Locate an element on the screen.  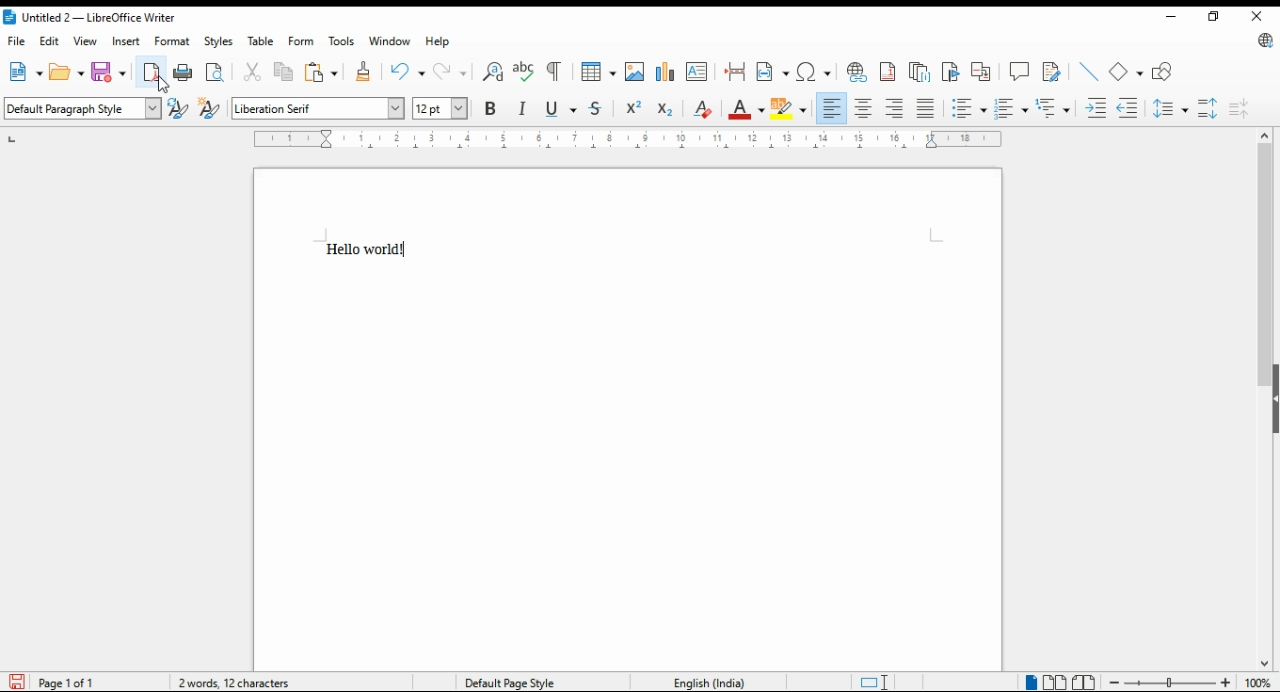
show draw functions is located at coordinates (1163, 70).